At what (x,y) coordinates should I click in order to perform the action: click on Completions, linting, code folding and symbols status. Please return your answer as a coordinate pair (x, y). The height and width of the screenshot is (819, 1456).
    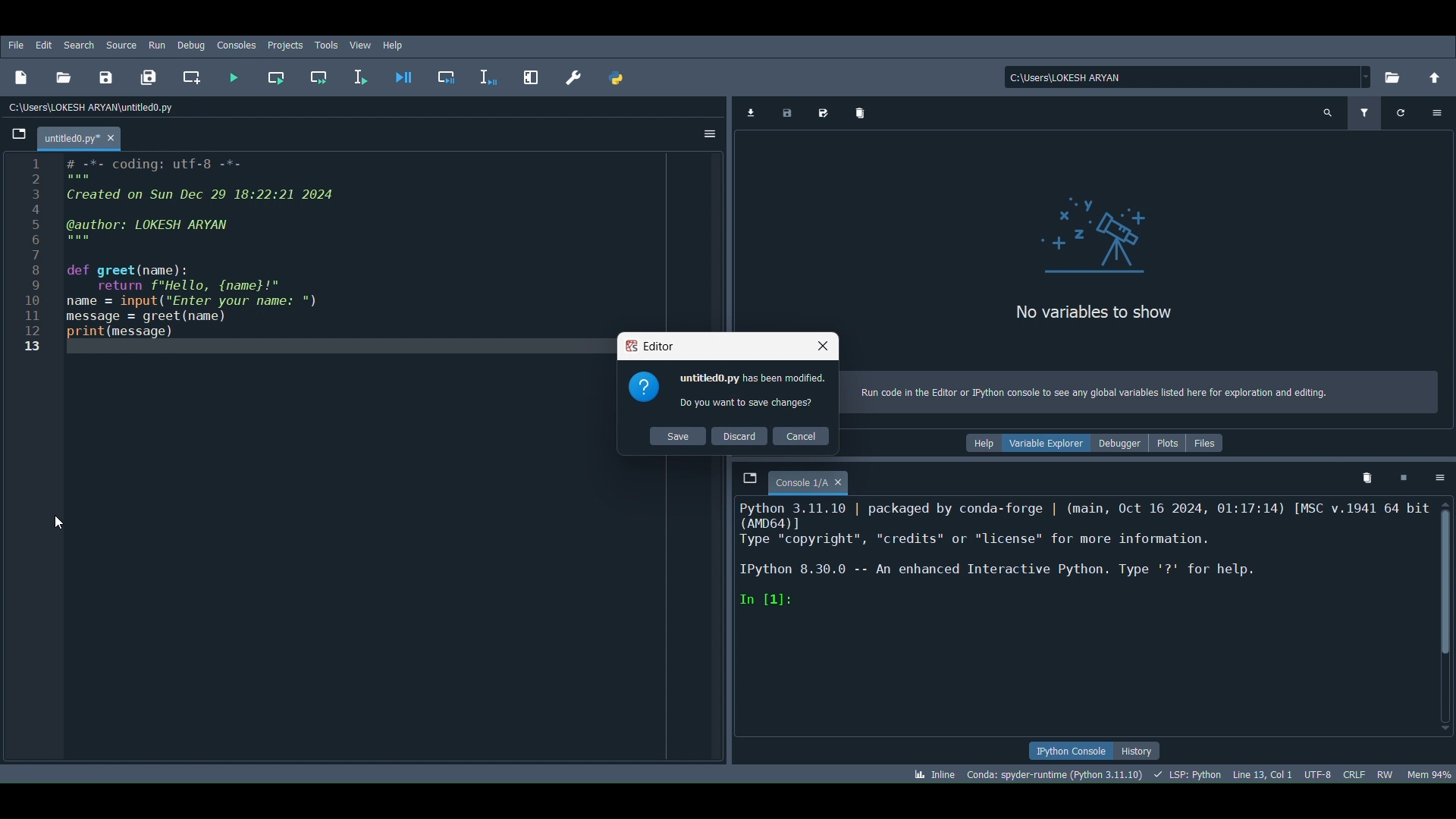
    Looking at the image, I should click on (1186, 775).